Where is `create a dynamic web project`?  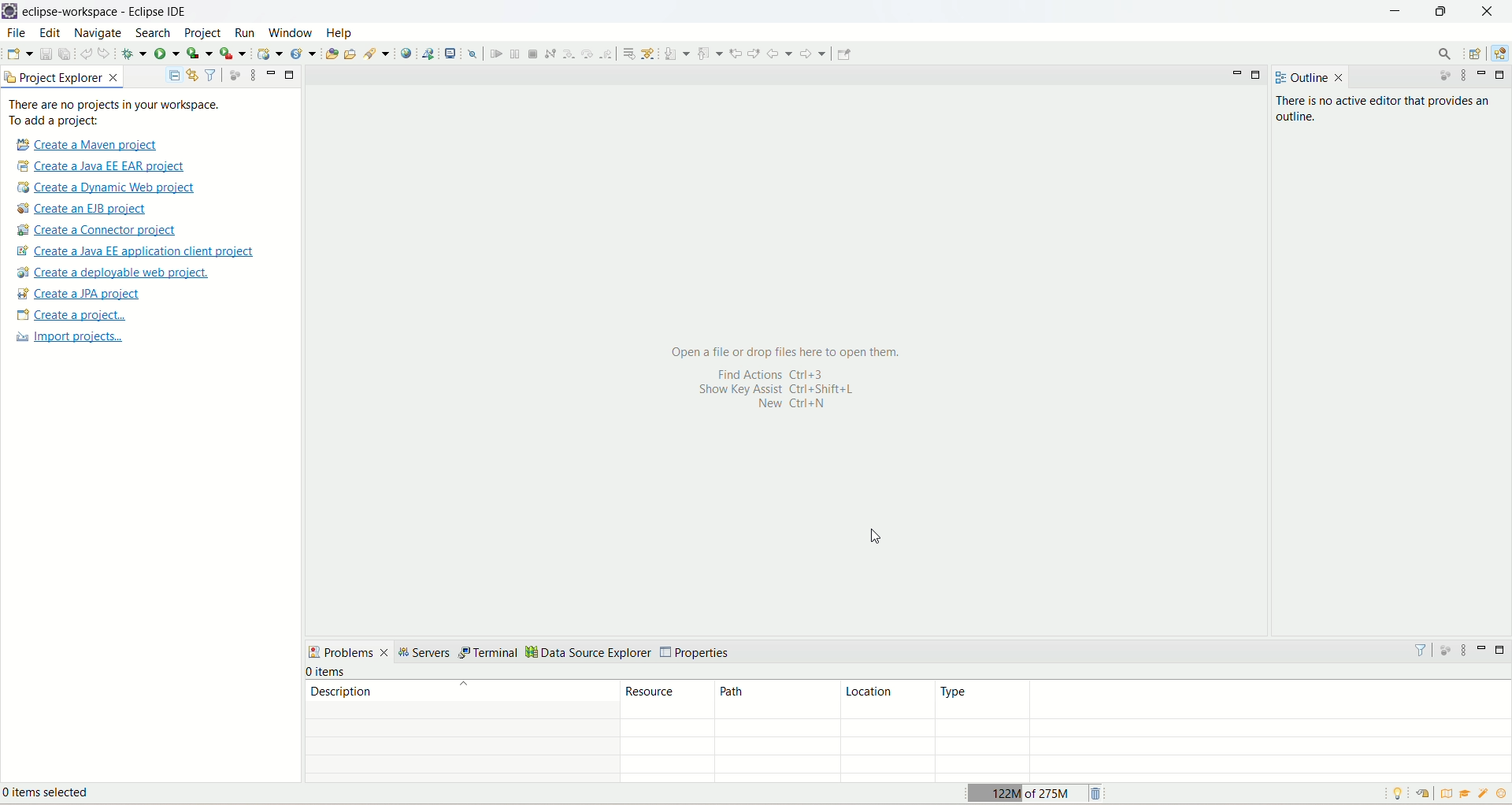 create a dynamic web project is located at coordinates (270, 54).